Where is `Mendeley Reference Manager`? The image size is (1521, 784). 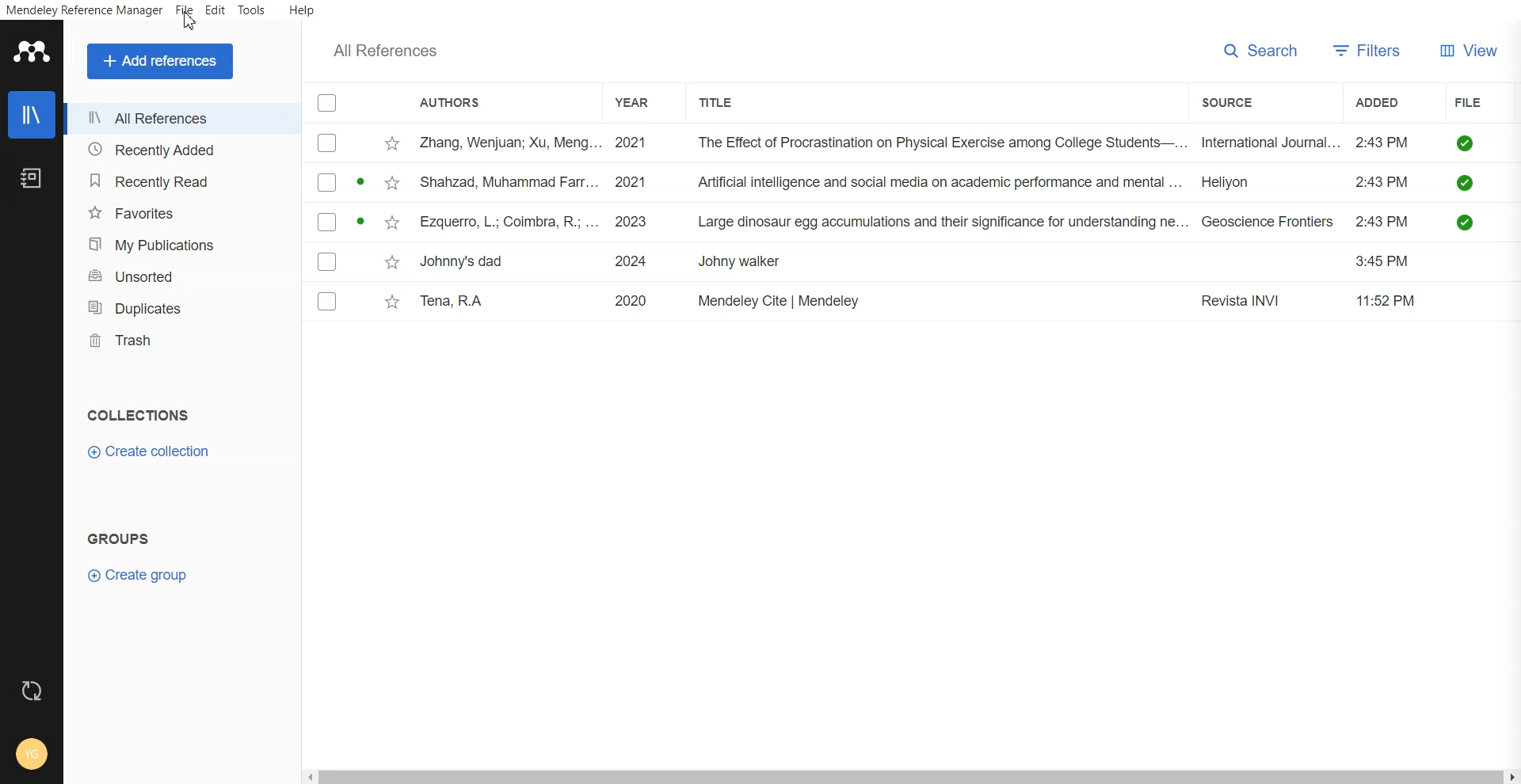
Mendeley Reference Manager is located at coordinates (84, 11).